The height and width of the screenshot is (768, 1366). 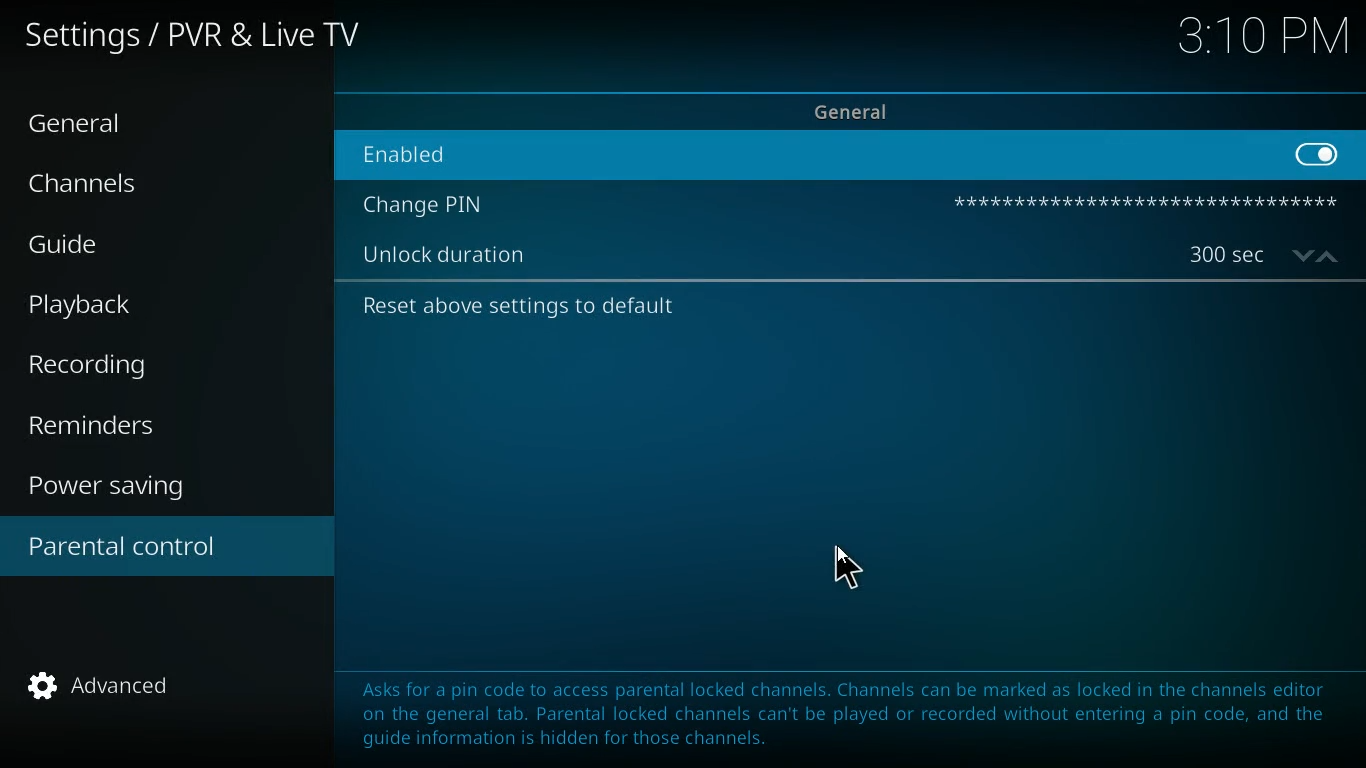 What do you see at coordinates (429, 205) in the screenshot?
I see `change pin` at bounding box center [429, 205].